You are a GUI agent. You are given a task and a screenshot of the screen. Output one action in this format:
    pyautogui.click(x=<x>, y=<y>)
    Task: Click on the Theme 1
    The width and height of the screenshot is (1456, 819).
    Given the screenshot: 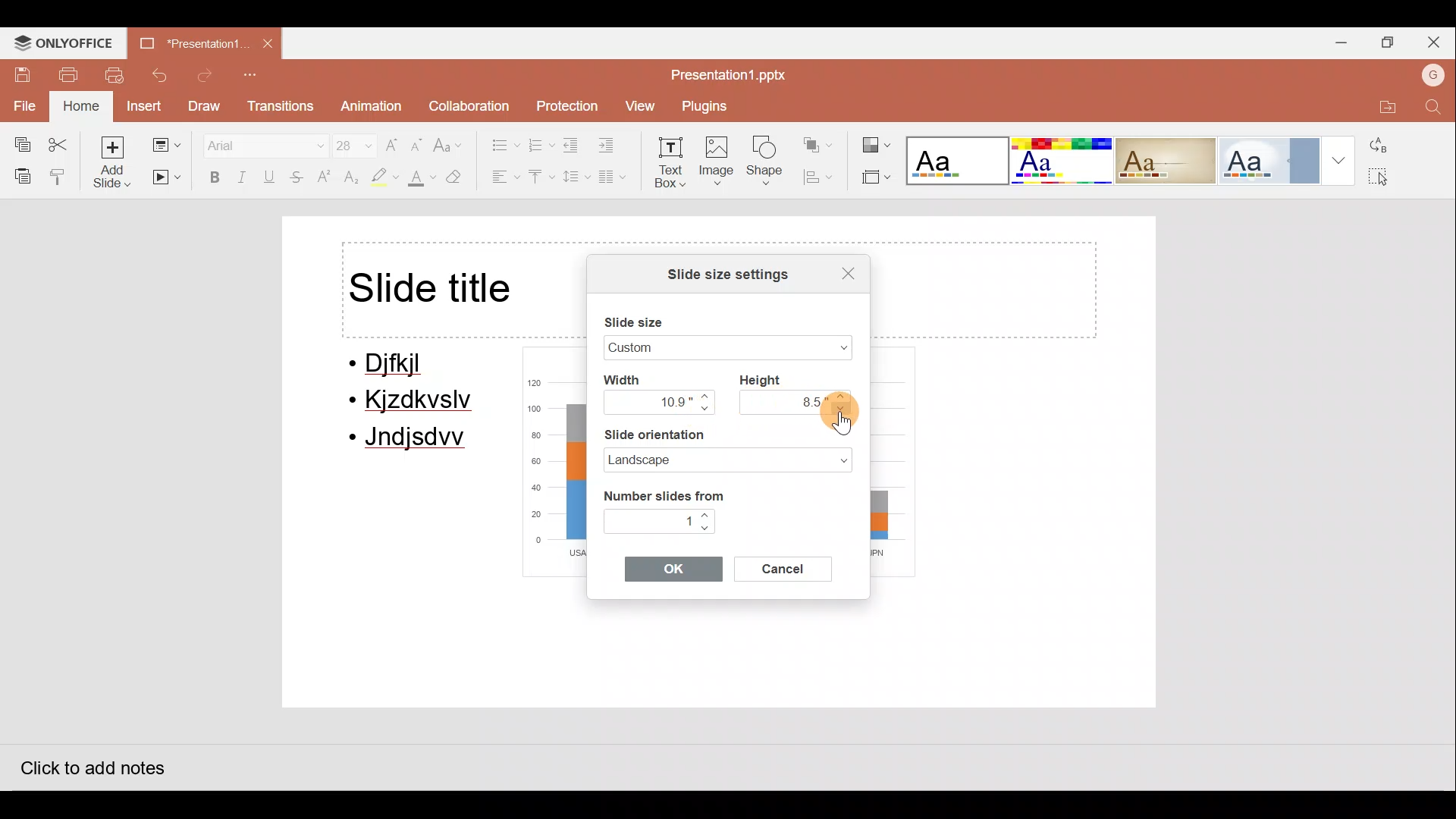 What is the action you would take?
    pyautogui.click(x=959, y=162)
    